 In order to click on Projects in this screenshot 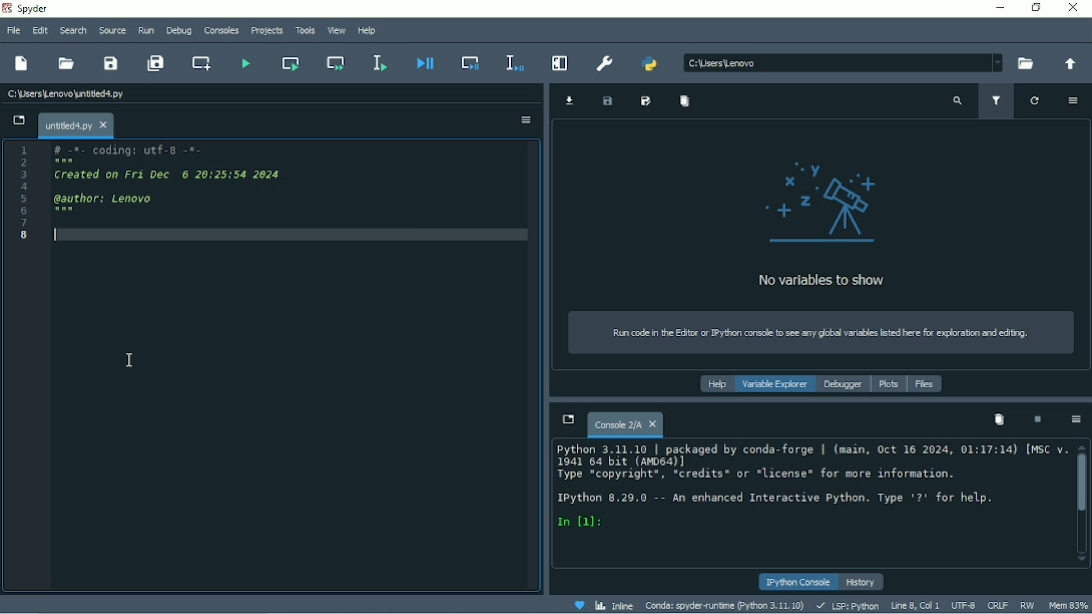, I will do `click(266, 31)`.